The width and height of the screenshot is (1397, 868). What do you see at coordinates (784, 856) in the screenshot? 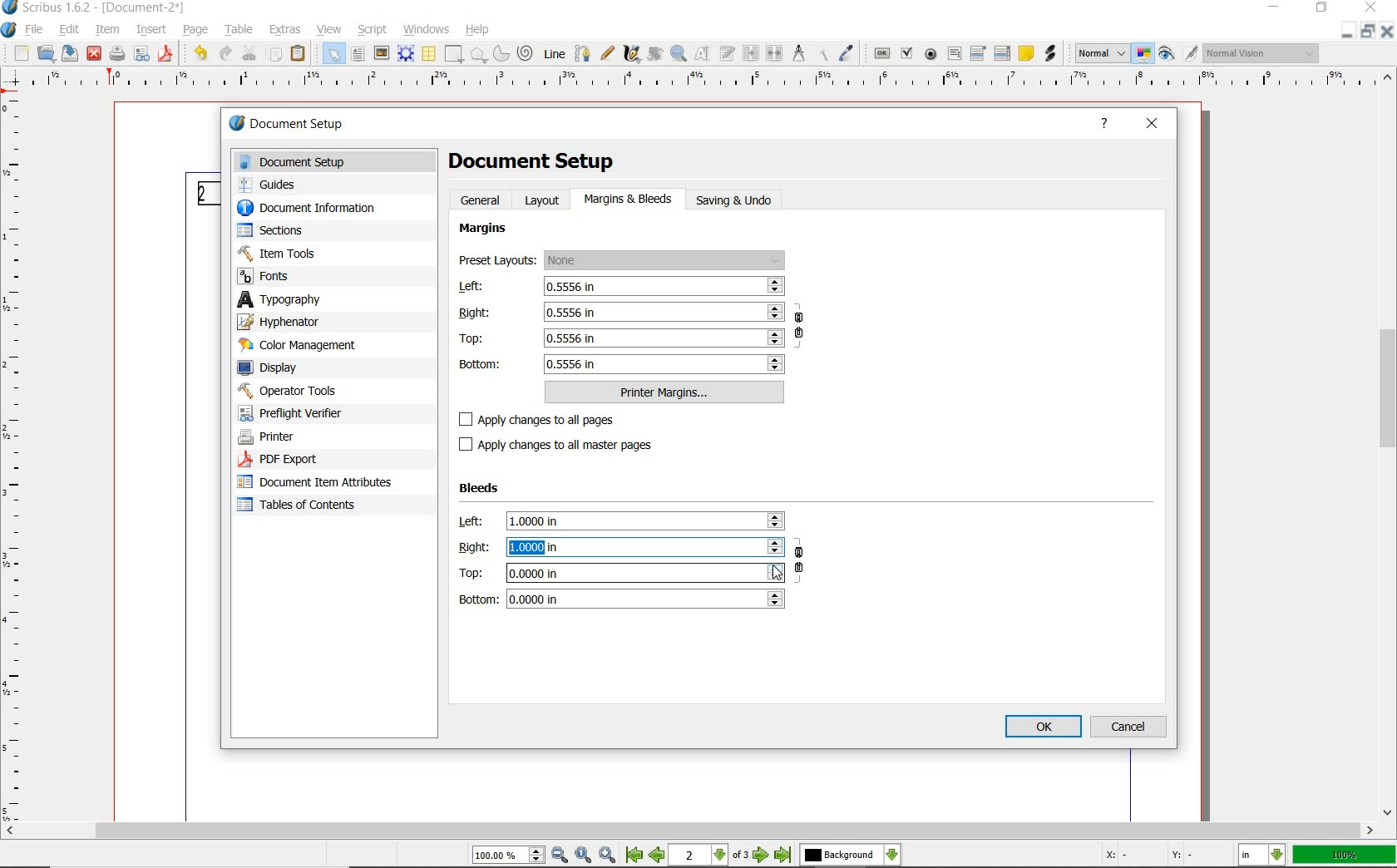
I see `Last Page` at bounding box center [784, 856].